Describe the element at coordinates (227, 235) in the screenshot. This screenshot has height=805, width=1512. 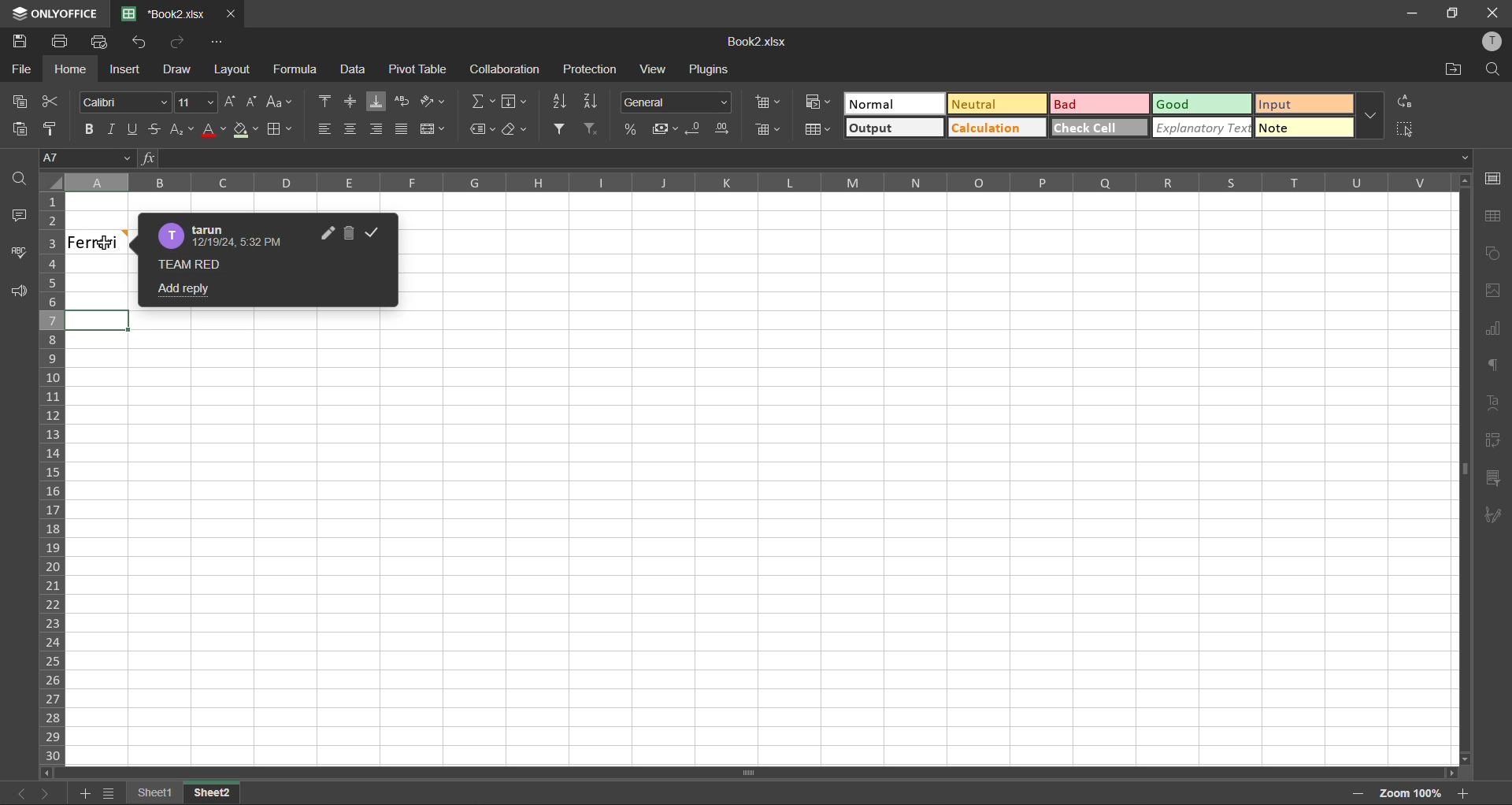
I see `profile and timestamp` at that location.